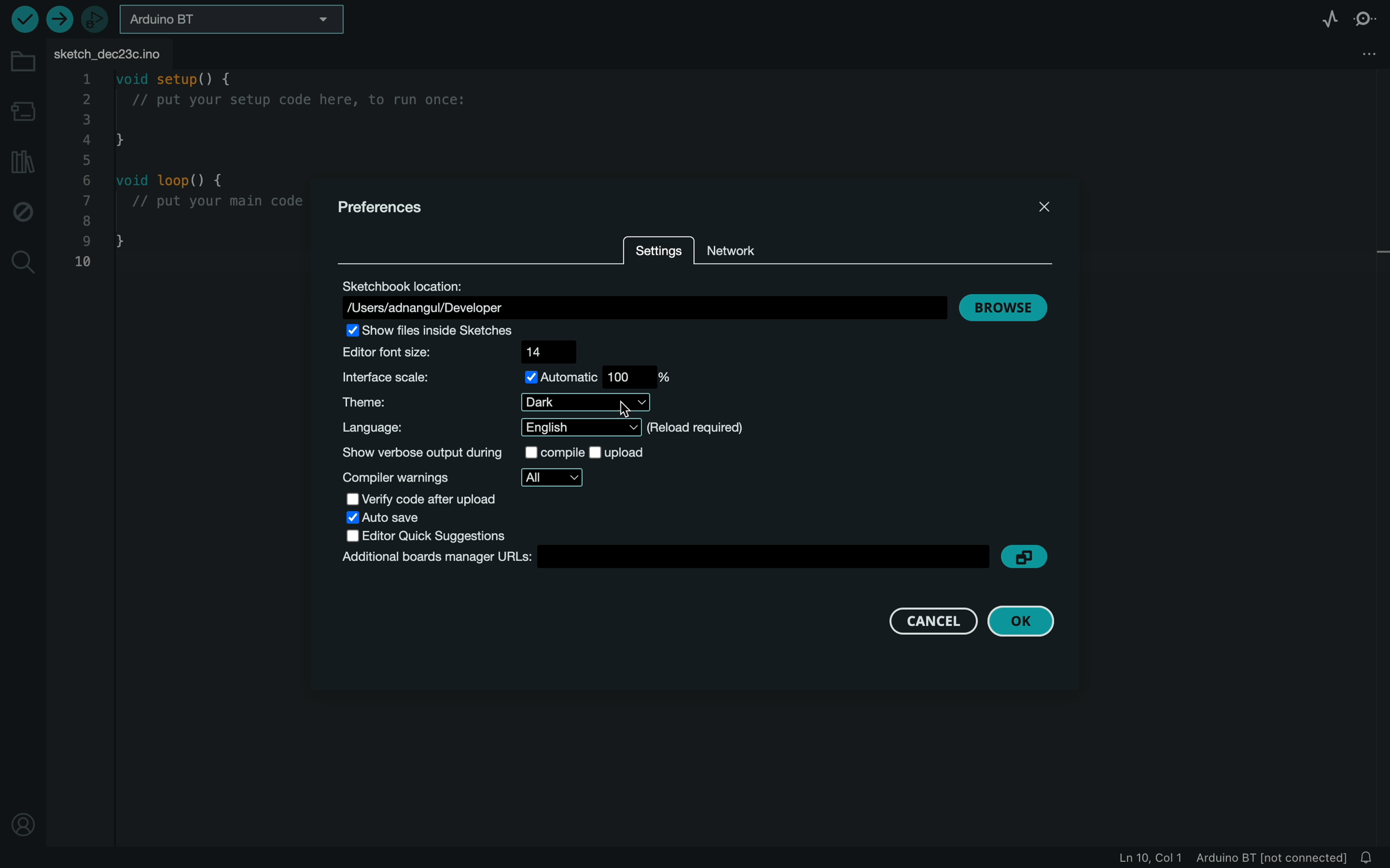  What do you see at coordinates (233, 19) in the screenshot?
I see `board selecter` at bounding box center [233, 19].